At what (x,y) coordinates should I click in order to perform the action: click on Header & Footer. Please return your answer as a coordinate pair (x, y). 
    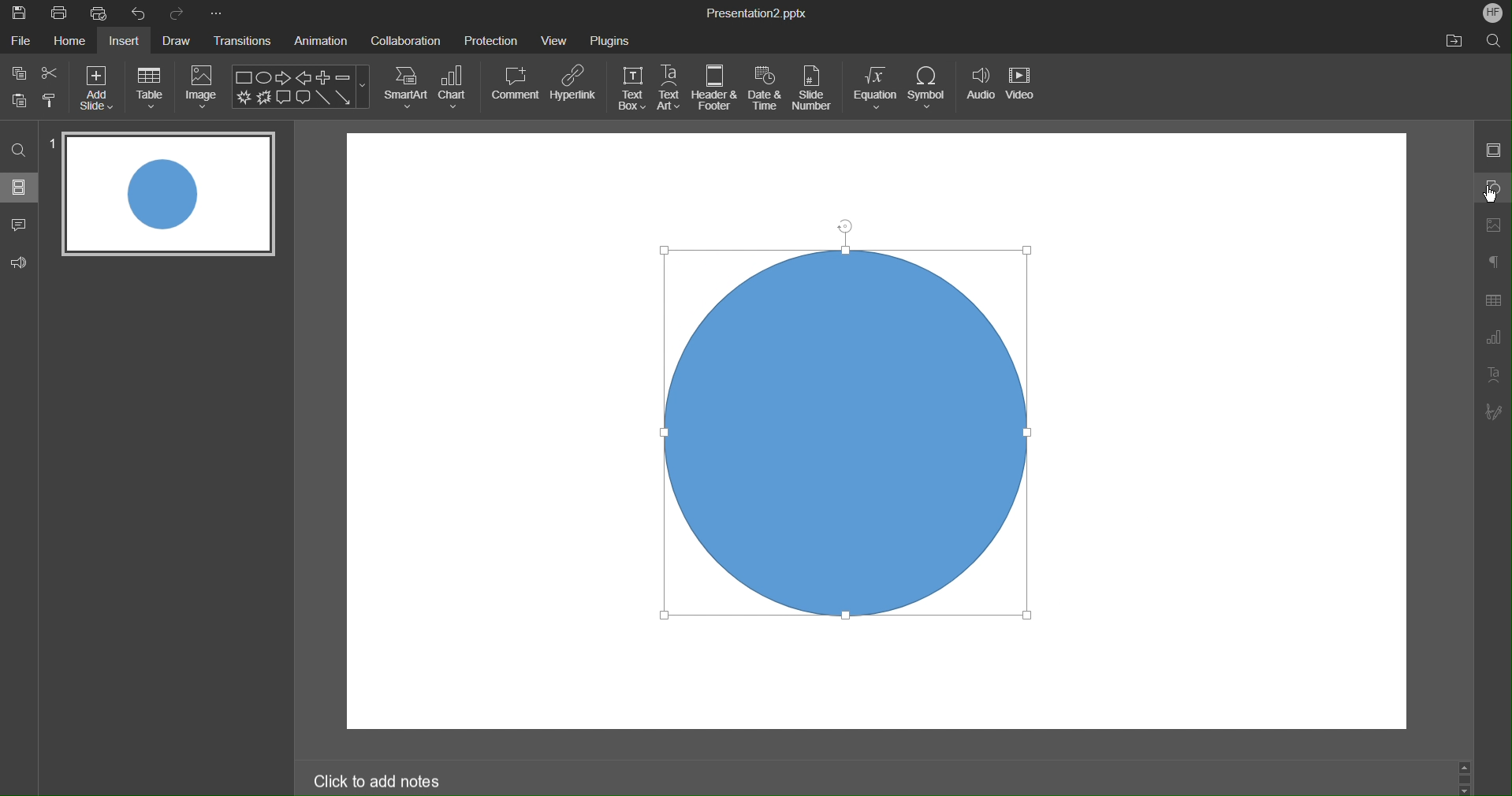
    Looking at the image, I should click on (715, 88).